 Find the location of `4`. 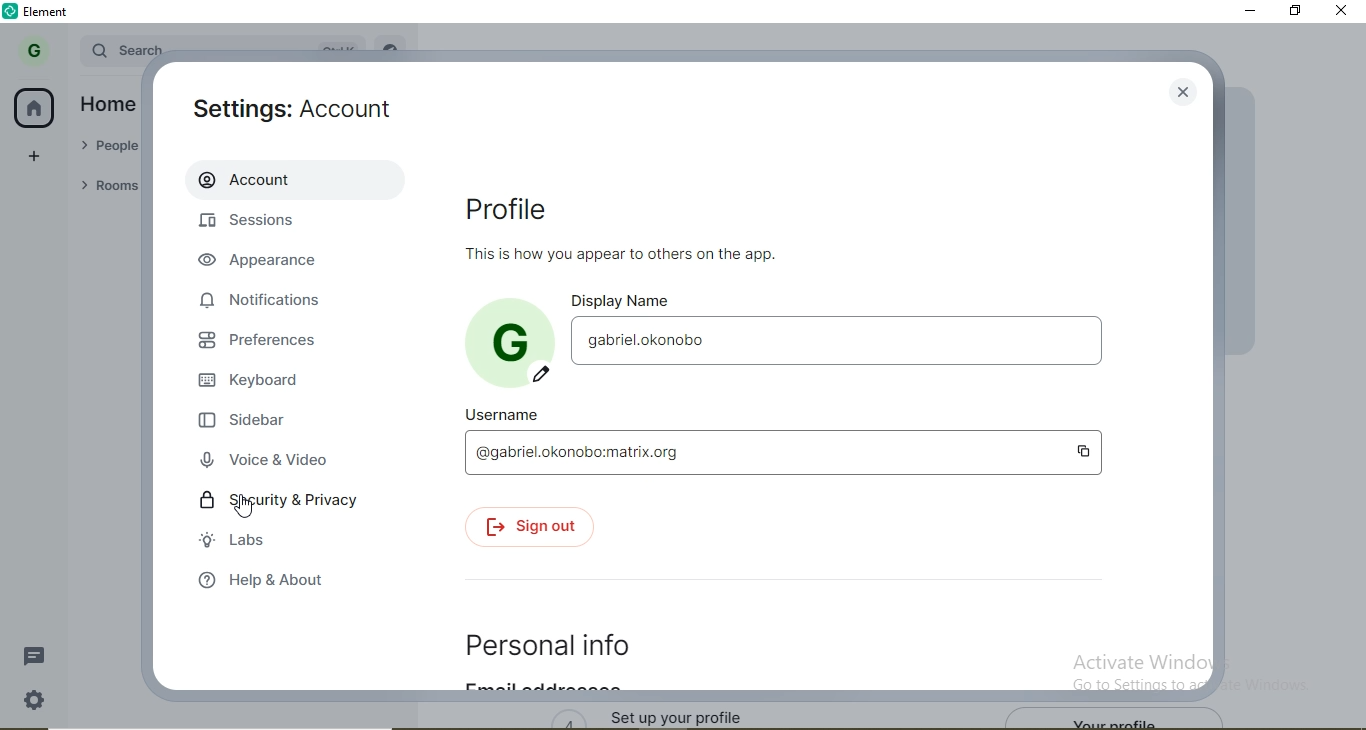

4 is located at coordinates (568, 719).